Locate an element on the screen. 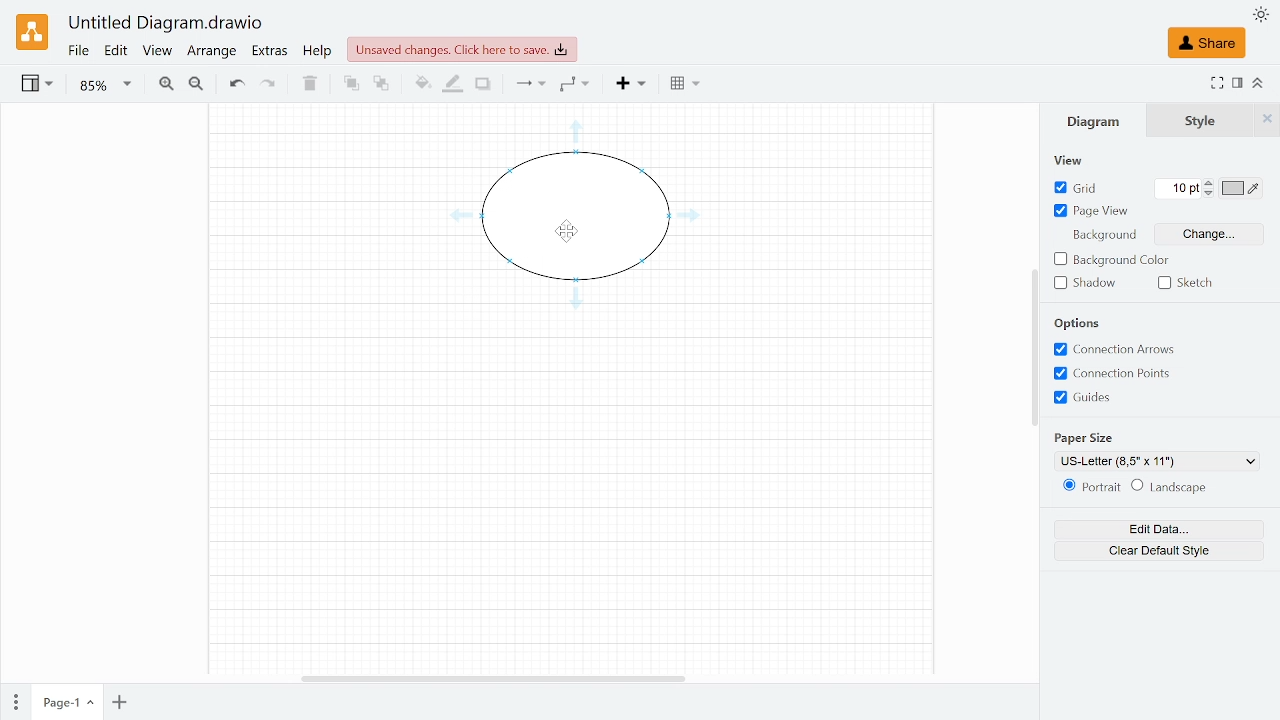  Close is located at coordinates (1268, 120).